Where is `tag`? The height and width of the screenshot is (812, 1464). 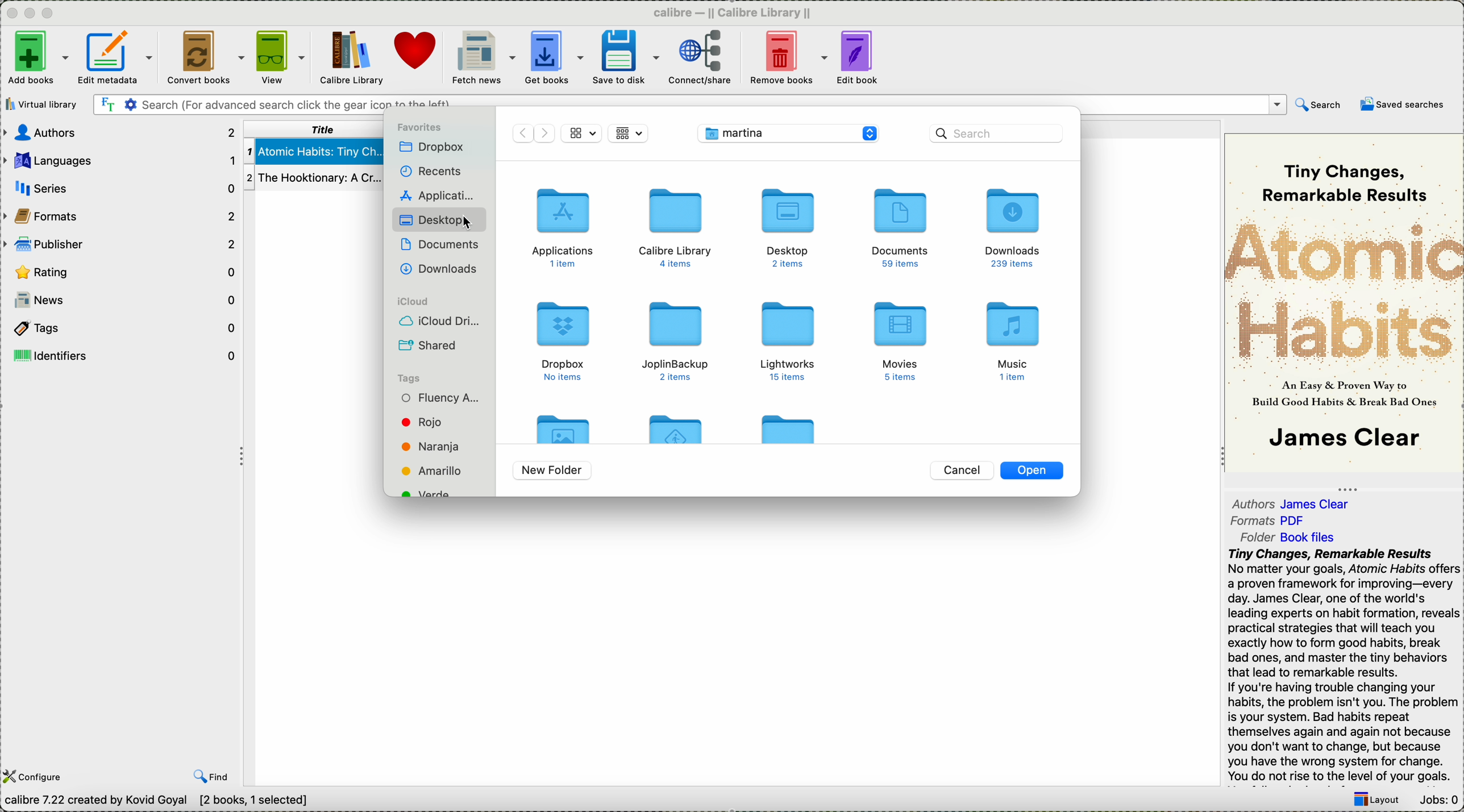 tag is located at coordinates (429, 471).